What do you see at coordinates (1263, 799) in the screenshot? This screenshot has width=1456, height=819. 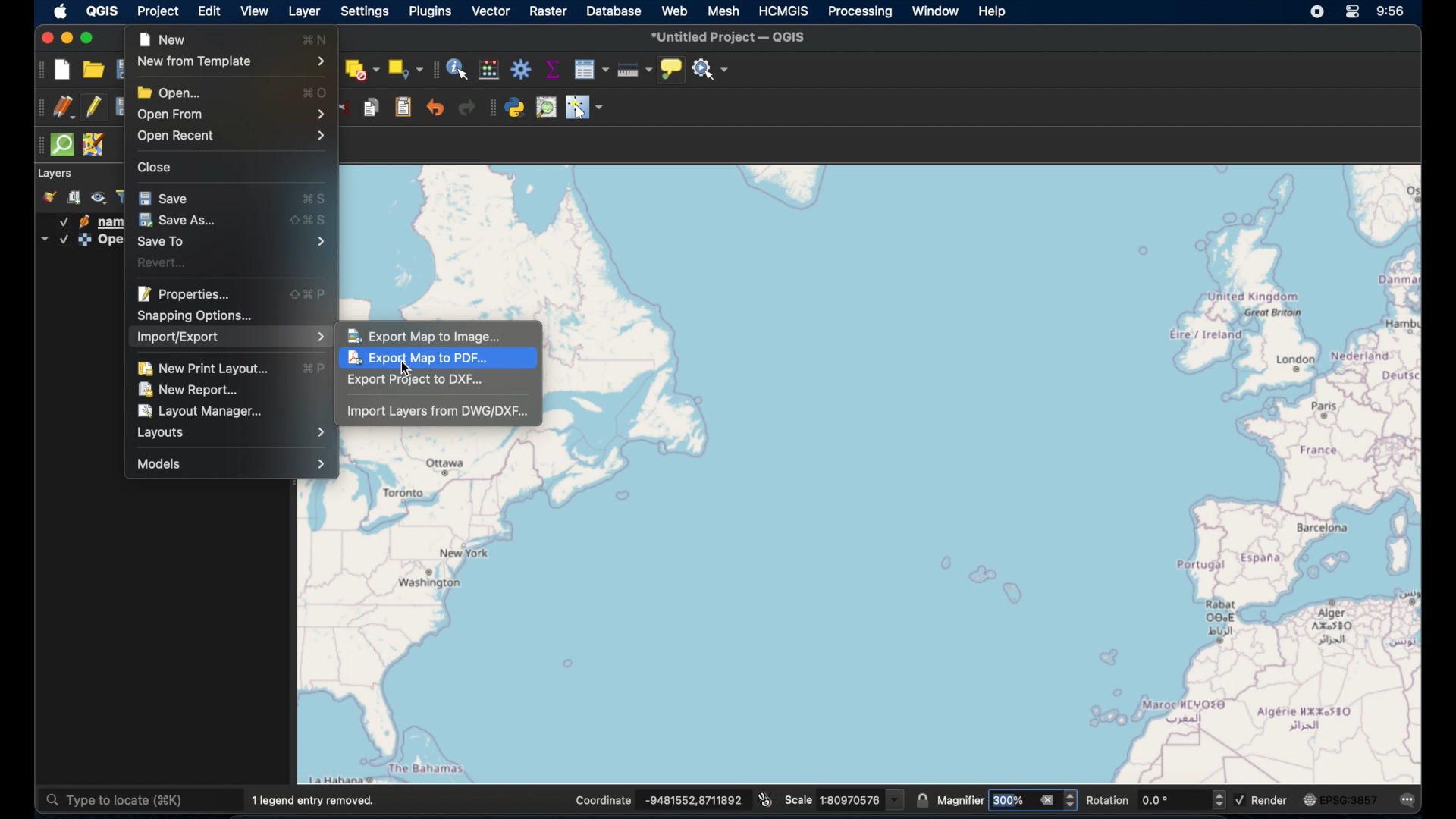 I see `render` at bounding box center [1263, 799].